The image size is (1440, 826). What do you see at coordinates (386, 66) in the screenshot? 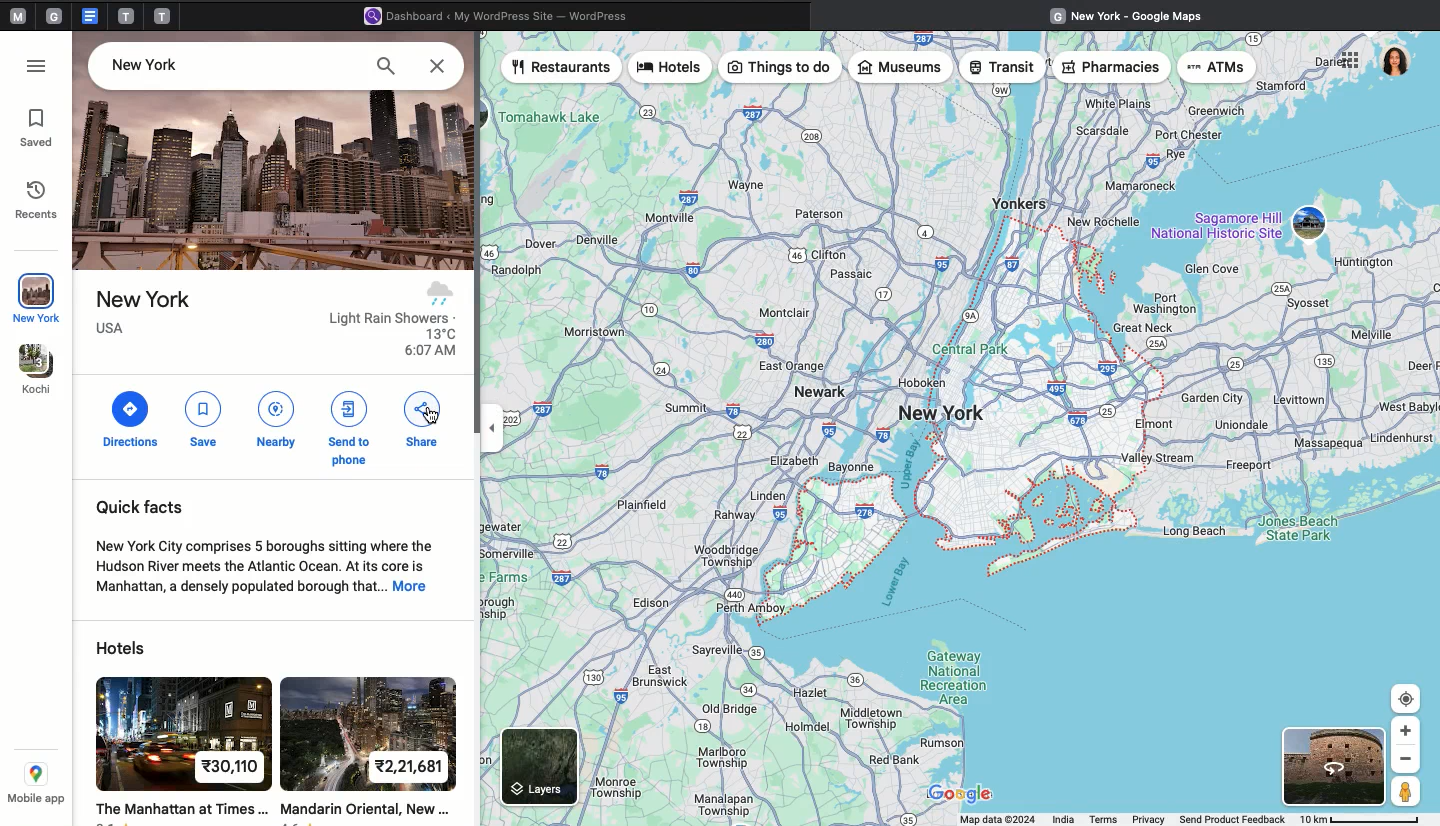
I see `Search` at bounding box center [386, 66].